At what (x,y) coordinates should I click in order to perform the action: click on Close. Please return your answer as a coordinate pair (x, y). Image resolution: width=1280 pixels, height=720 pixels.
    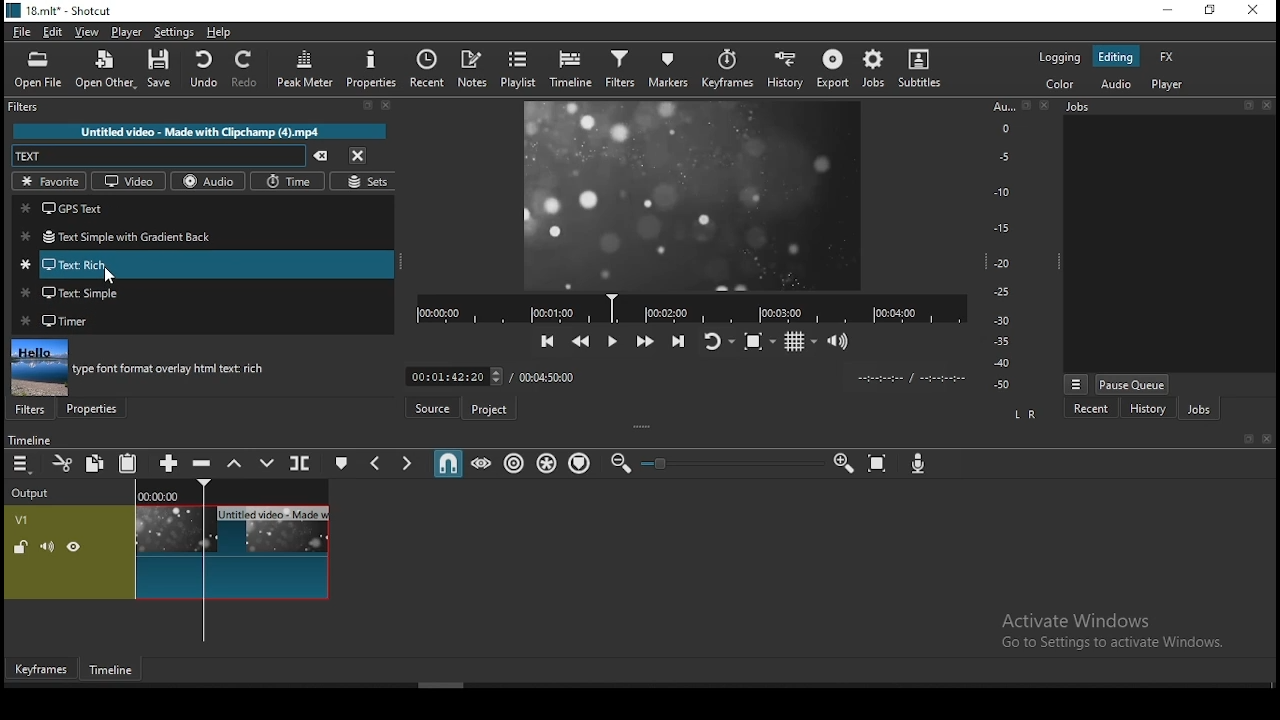
    Looking at the image, I should click on (387, 105).